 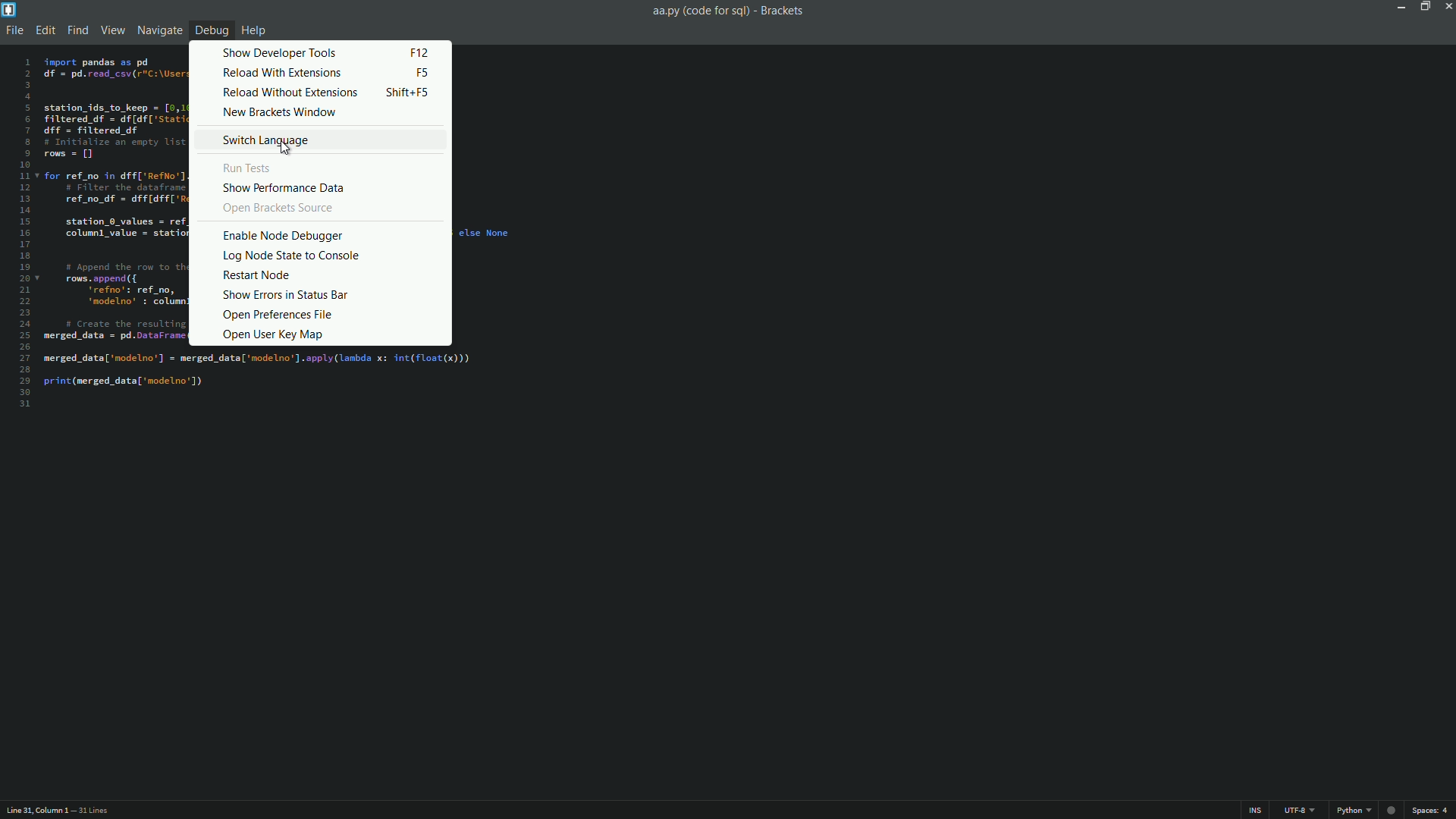 What do you see at coordinates (157, 30) in the screenshot?
I see `navigate` at bounding box center [157, 30].